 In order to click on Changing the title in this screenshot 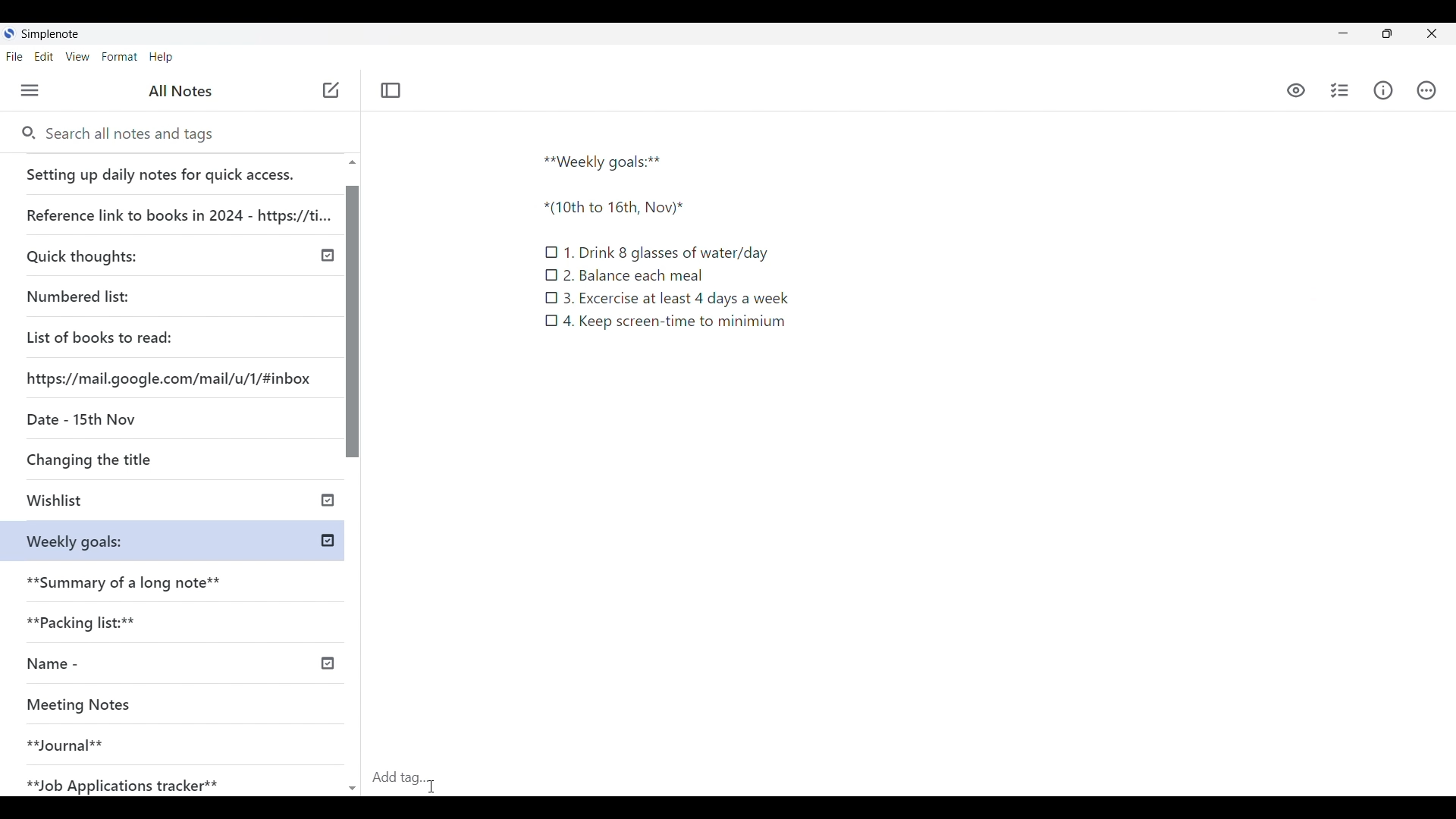, I will do `click(121, 459)`.